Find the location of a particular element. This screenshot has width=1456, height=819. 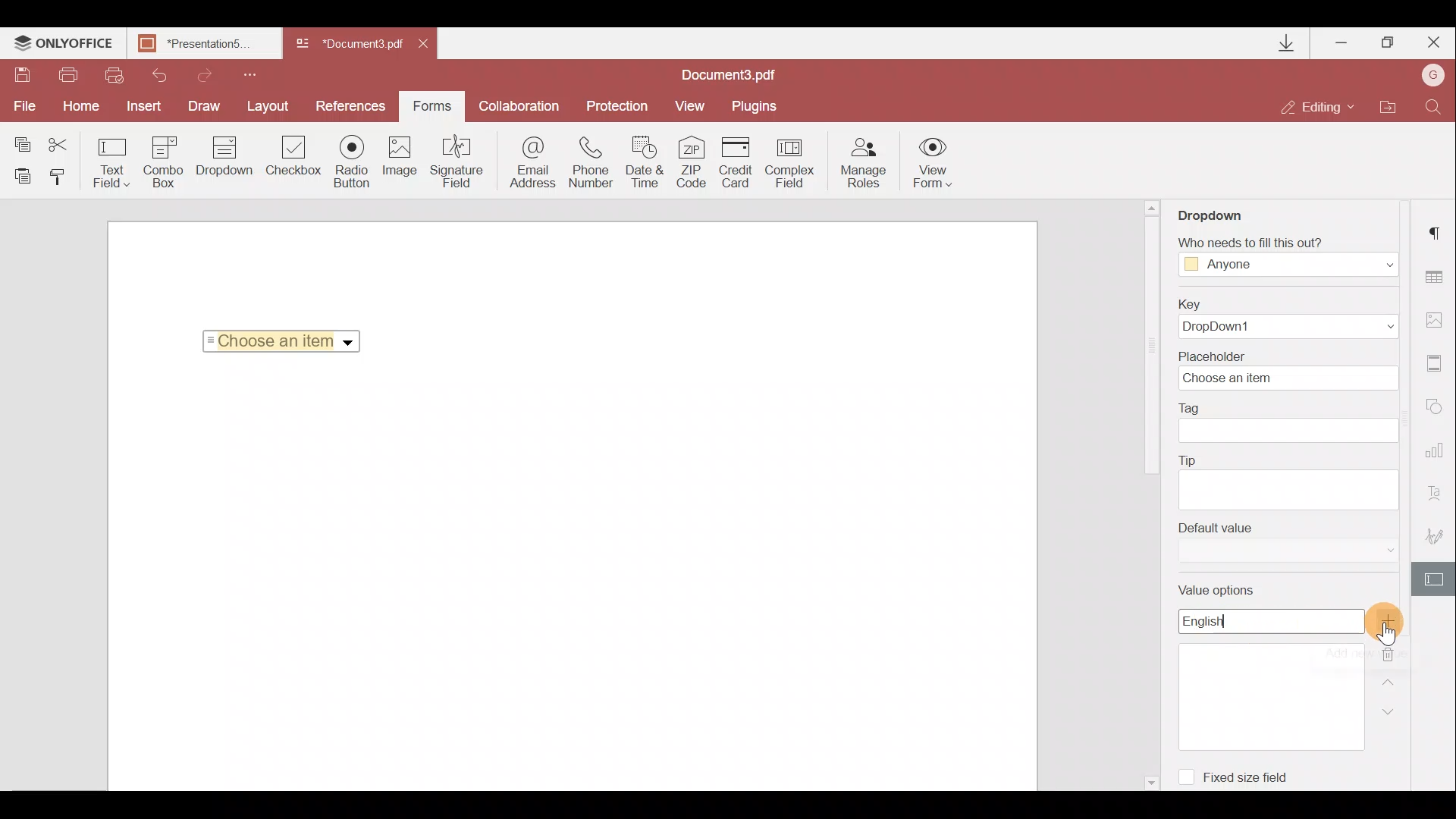

Copy is located at coordinates (21, 141).